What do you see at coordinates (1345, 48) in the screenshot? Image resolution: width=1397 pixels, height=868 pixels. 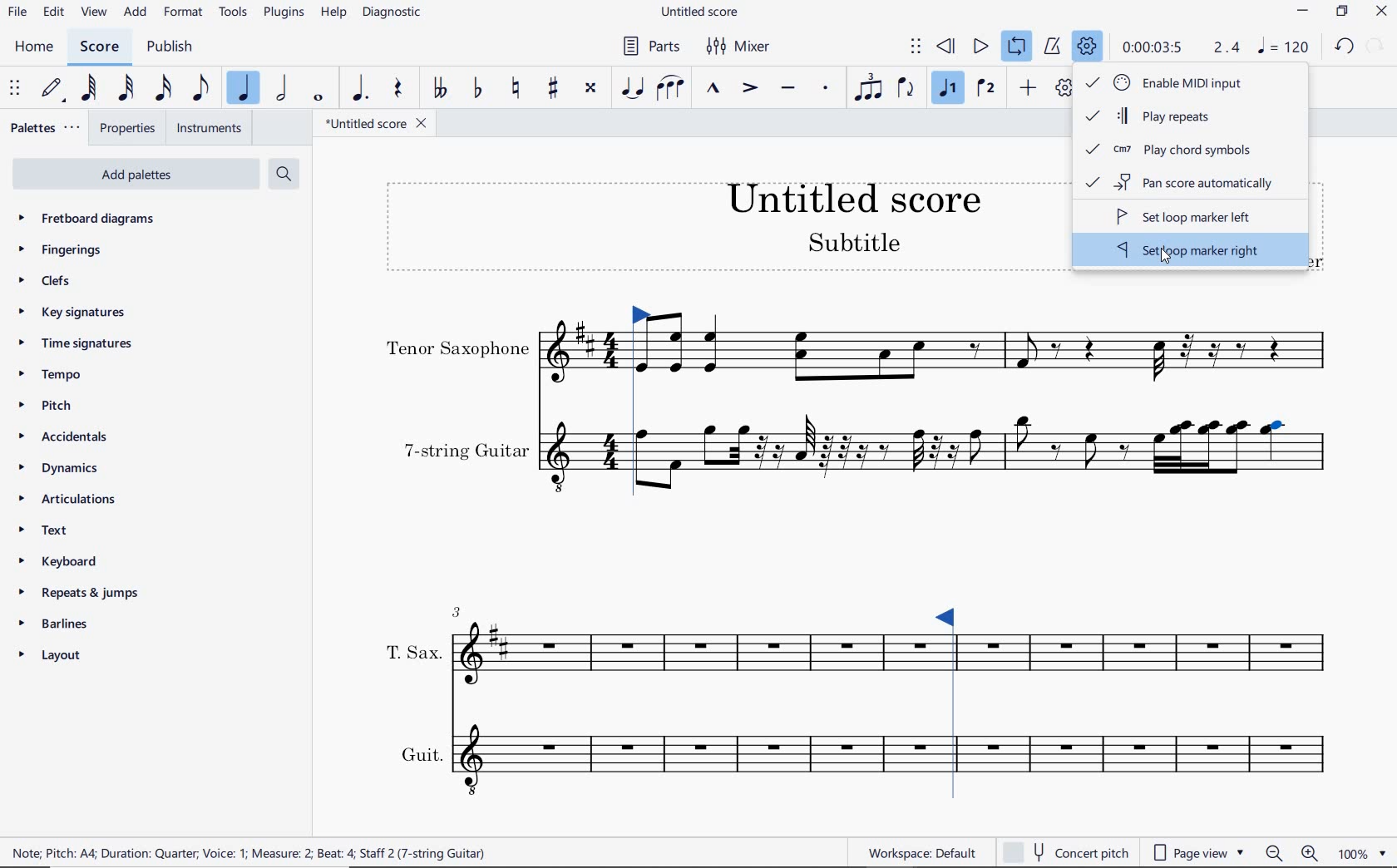 I see `UNDO` at bounding box center [1345, 48].